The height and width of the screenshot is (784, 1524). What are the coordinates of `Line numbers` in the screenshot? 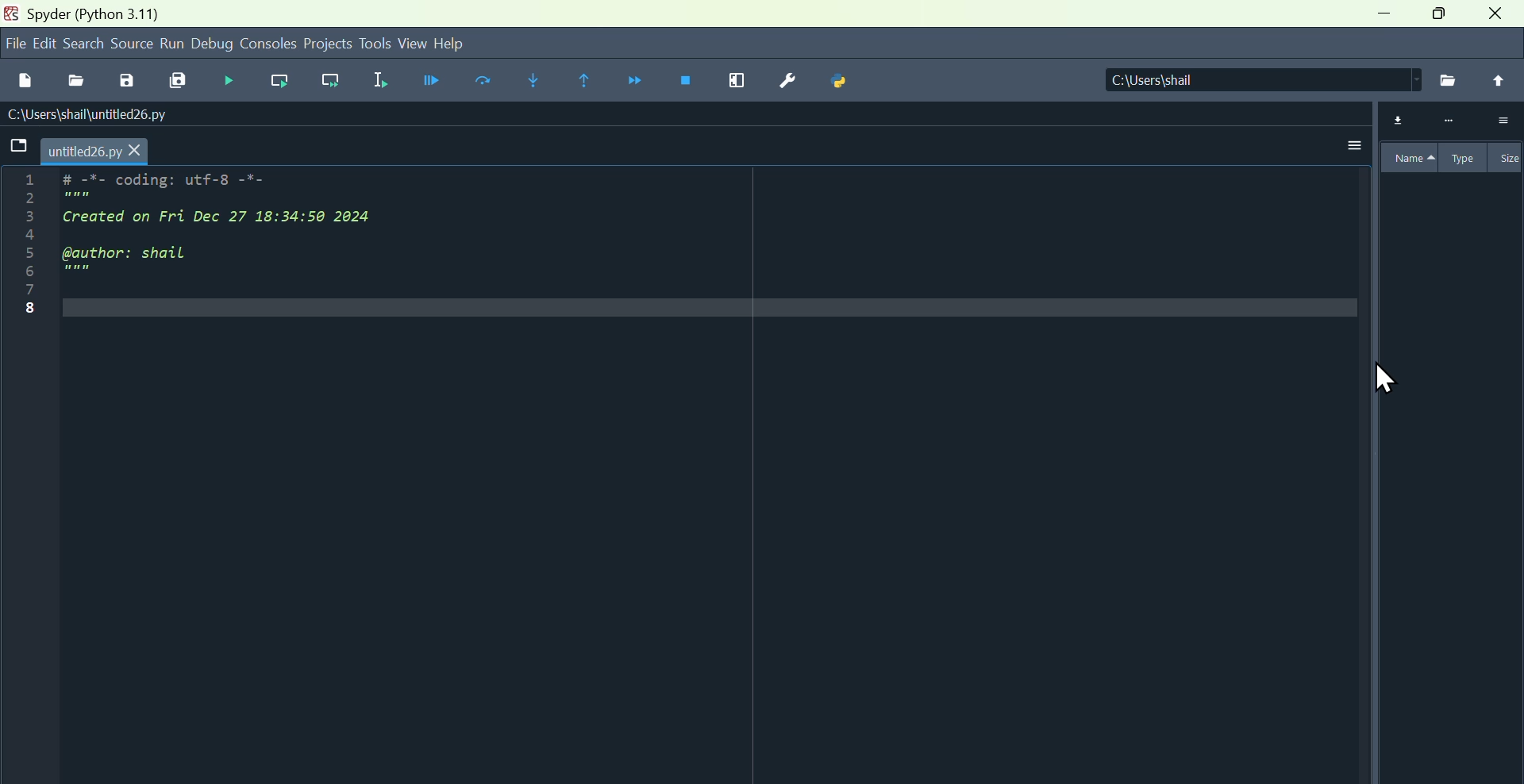 It's located at (20, 252).